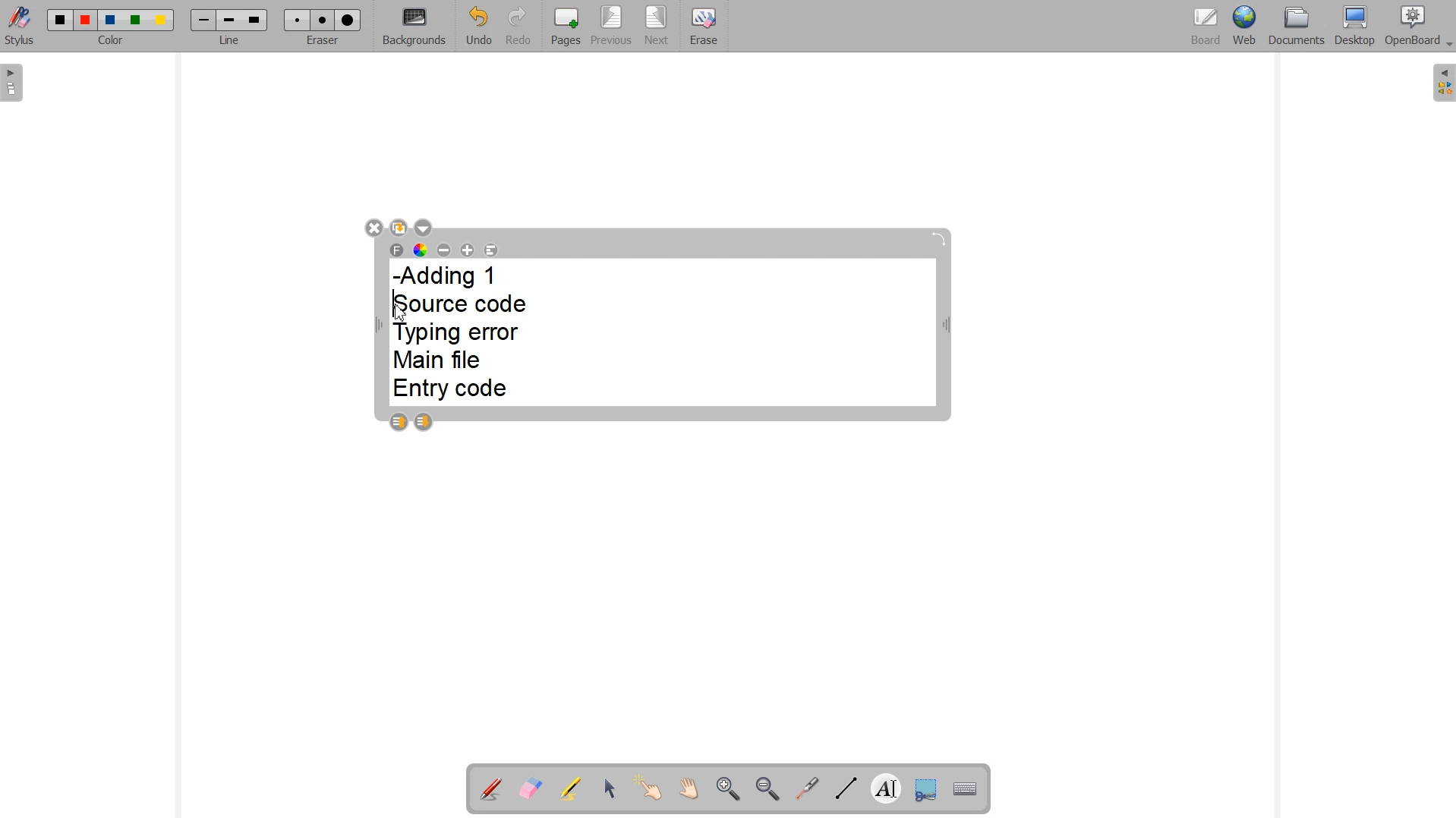 This screenshot has height=818, width=1456. What do you see at coordinates (611, 27) in the screenshot?
I see `Previous` at bounding box center [611, 27].